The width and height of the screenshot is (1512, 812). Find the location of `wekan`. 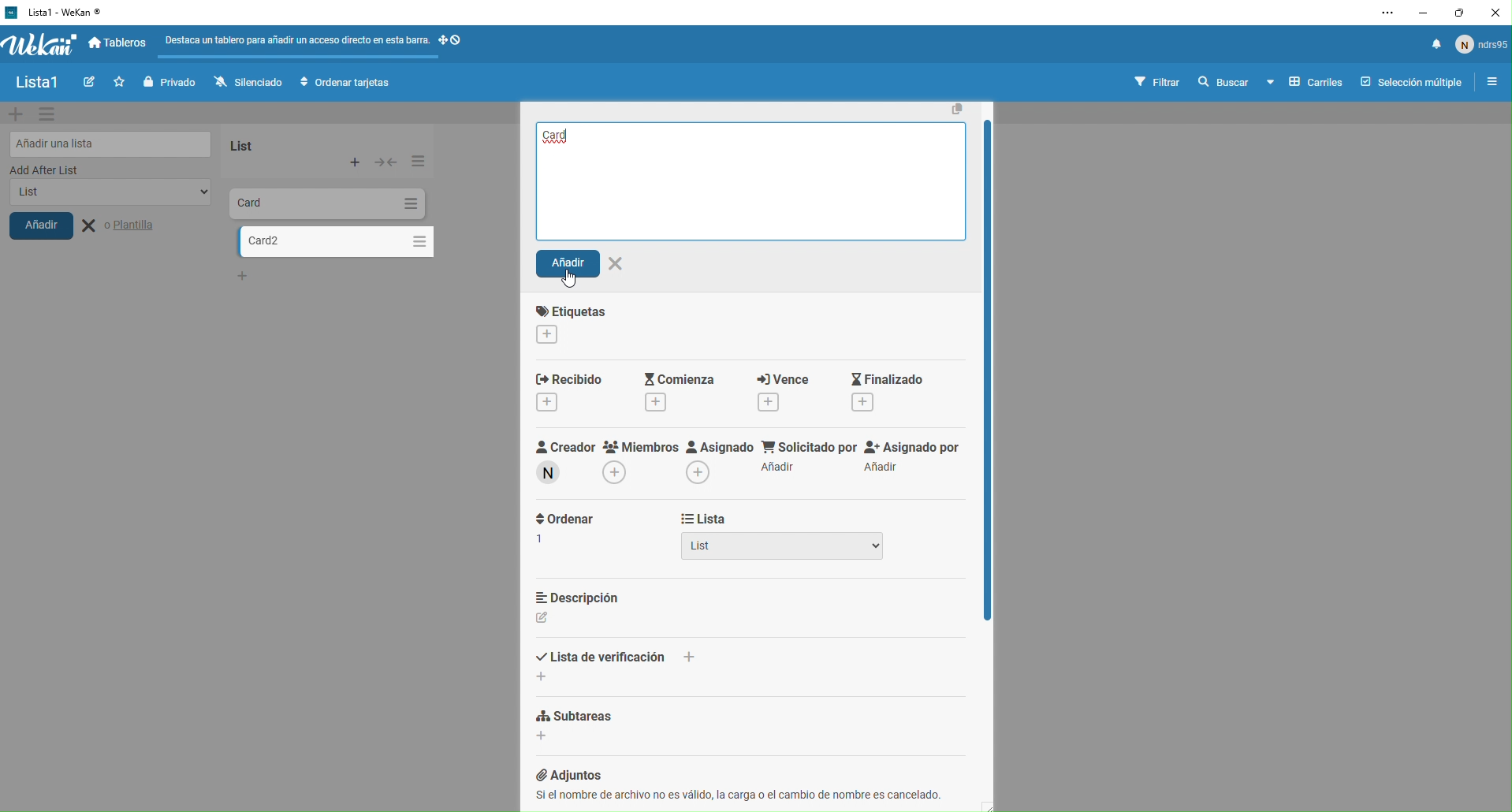

wekan is located at coordinates (40, 46).